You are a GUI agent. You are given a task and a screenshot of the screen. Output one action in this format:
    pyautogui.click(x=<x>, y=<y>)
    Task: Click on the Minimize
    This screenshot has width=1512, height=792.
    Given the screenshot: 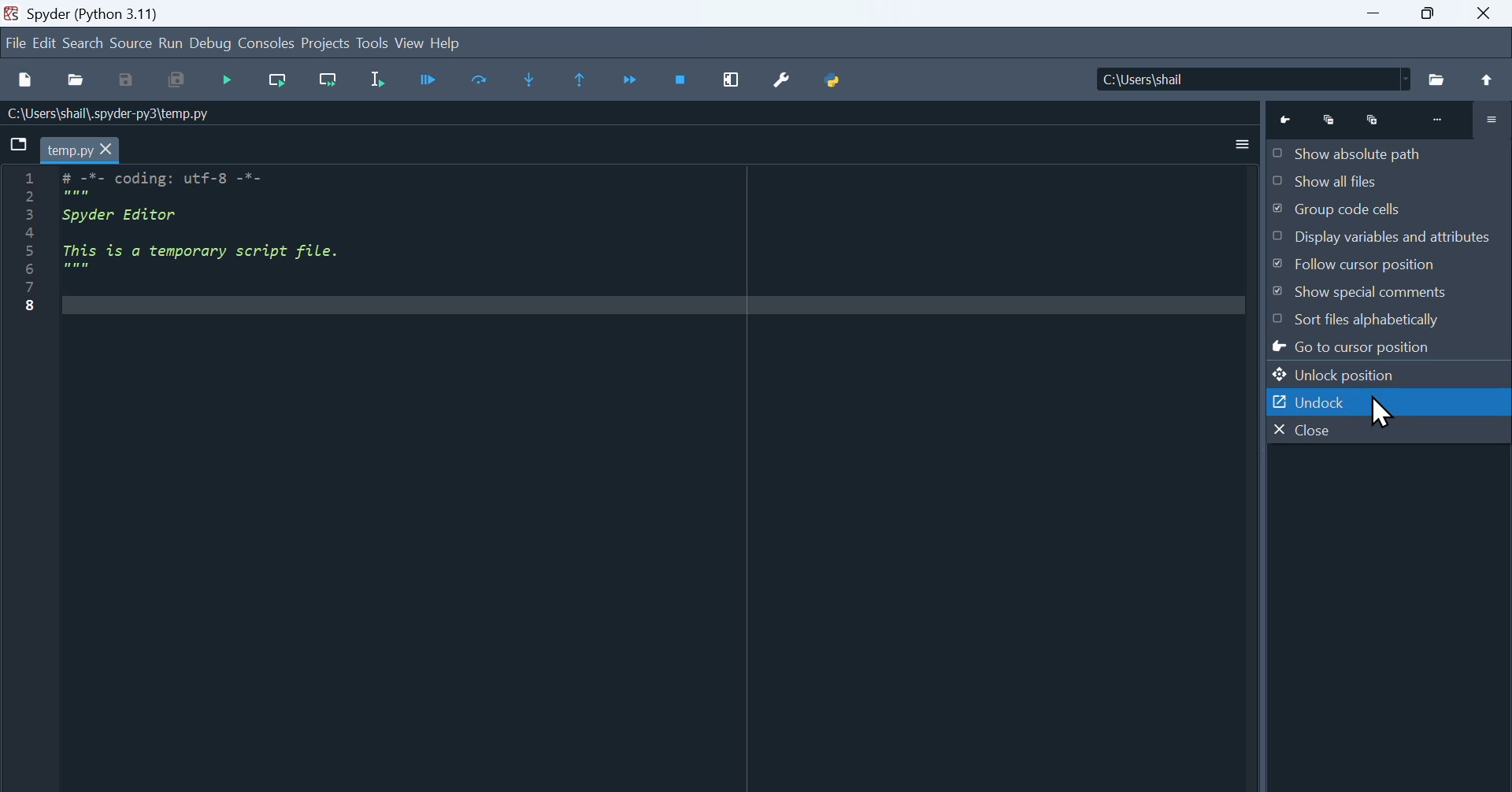 What is the action you would take?
    pyautogui.click(x=1329, y=122)
    